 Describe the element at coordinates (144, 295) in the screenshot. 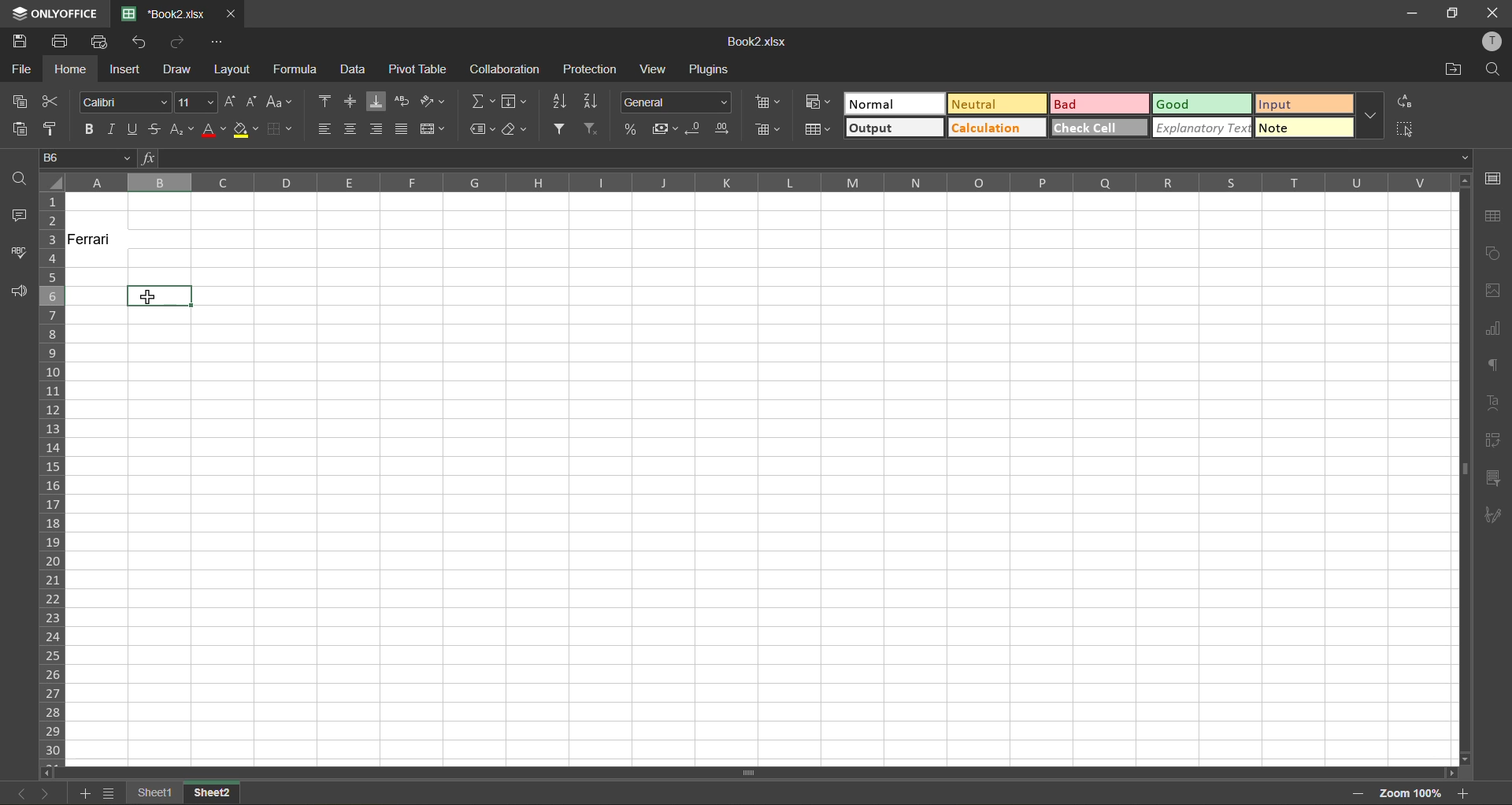

I see `cursor` at that location.